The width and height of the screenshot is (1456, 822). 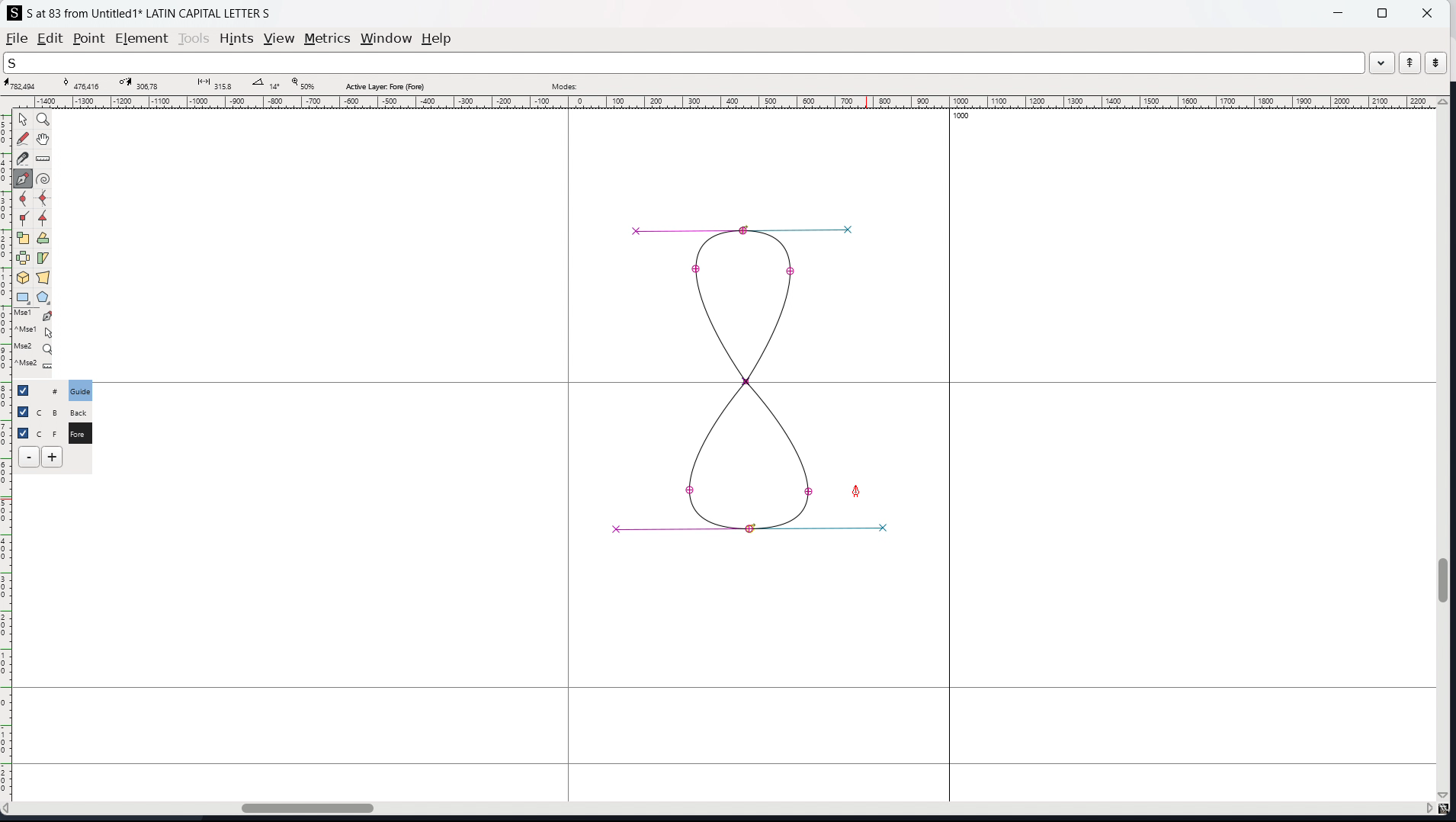 What do you see at coordinates (52, 457) in the screenshot?
I see `add layers` at bounding box center [52, 457].